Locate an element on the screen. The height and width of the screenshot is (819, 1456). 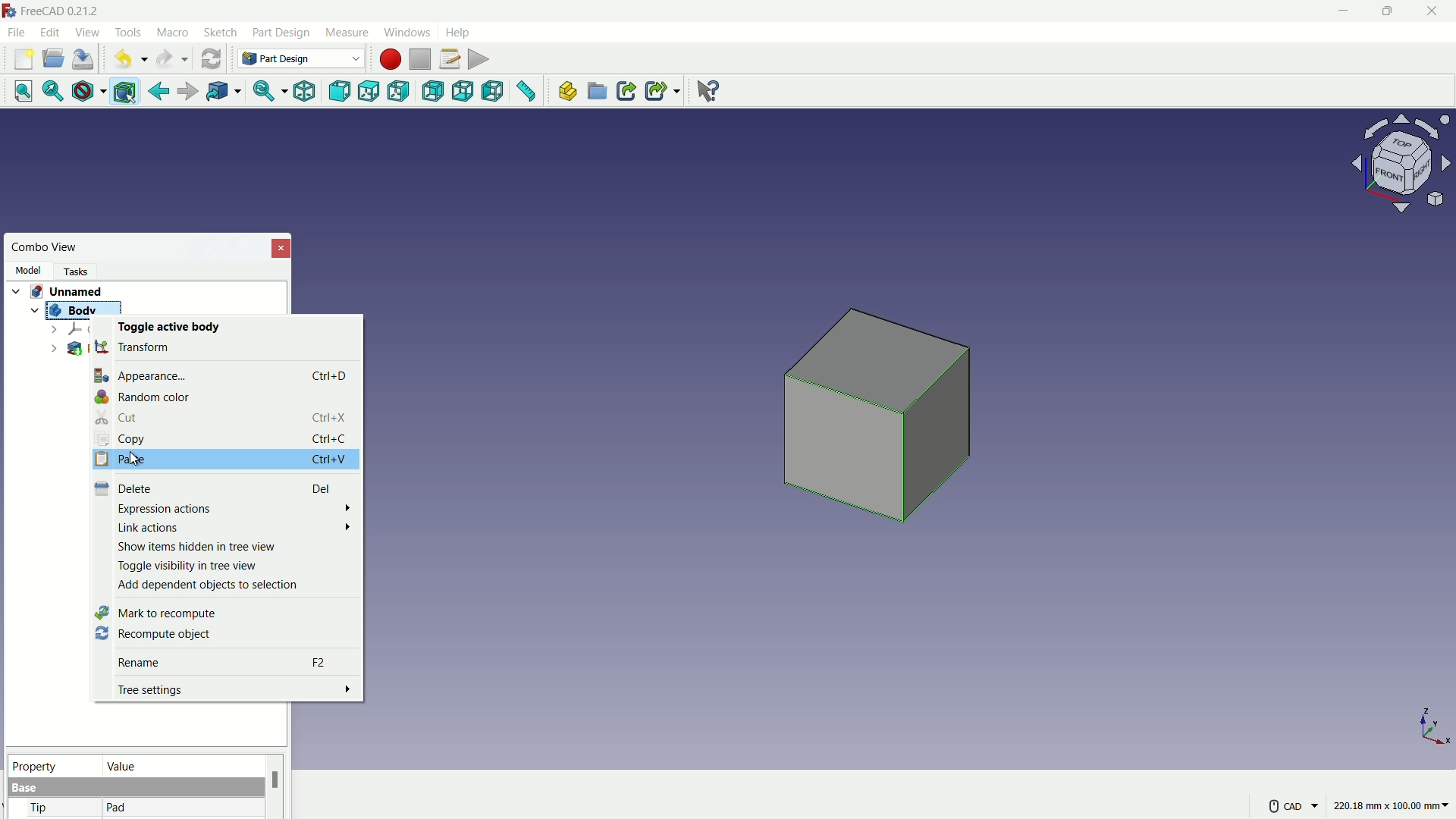
Copy Ctrl+C is located at coordinates (222, 439).